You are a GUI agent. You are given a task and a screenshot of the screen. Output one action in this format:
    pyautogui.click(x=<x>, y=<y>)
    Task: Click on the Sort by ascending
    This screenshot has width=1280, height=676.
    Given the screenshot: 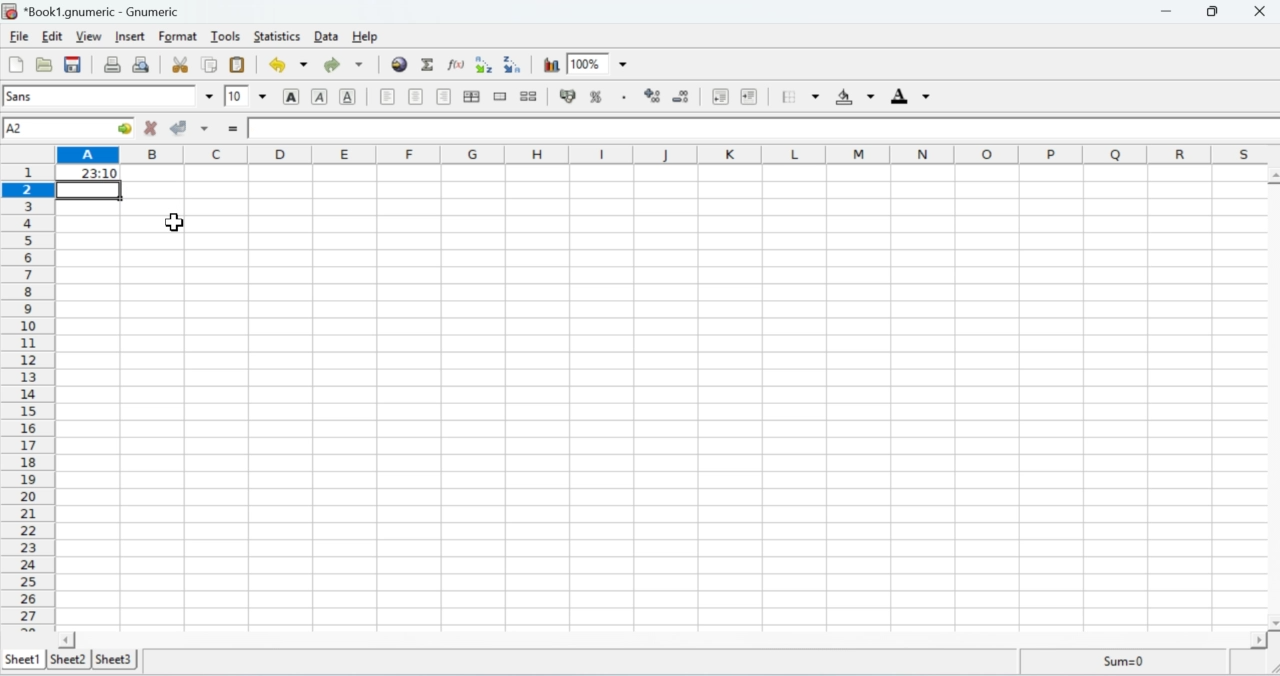 What is the action you would take?
    pyautogui.click(x=484, y=65)
    